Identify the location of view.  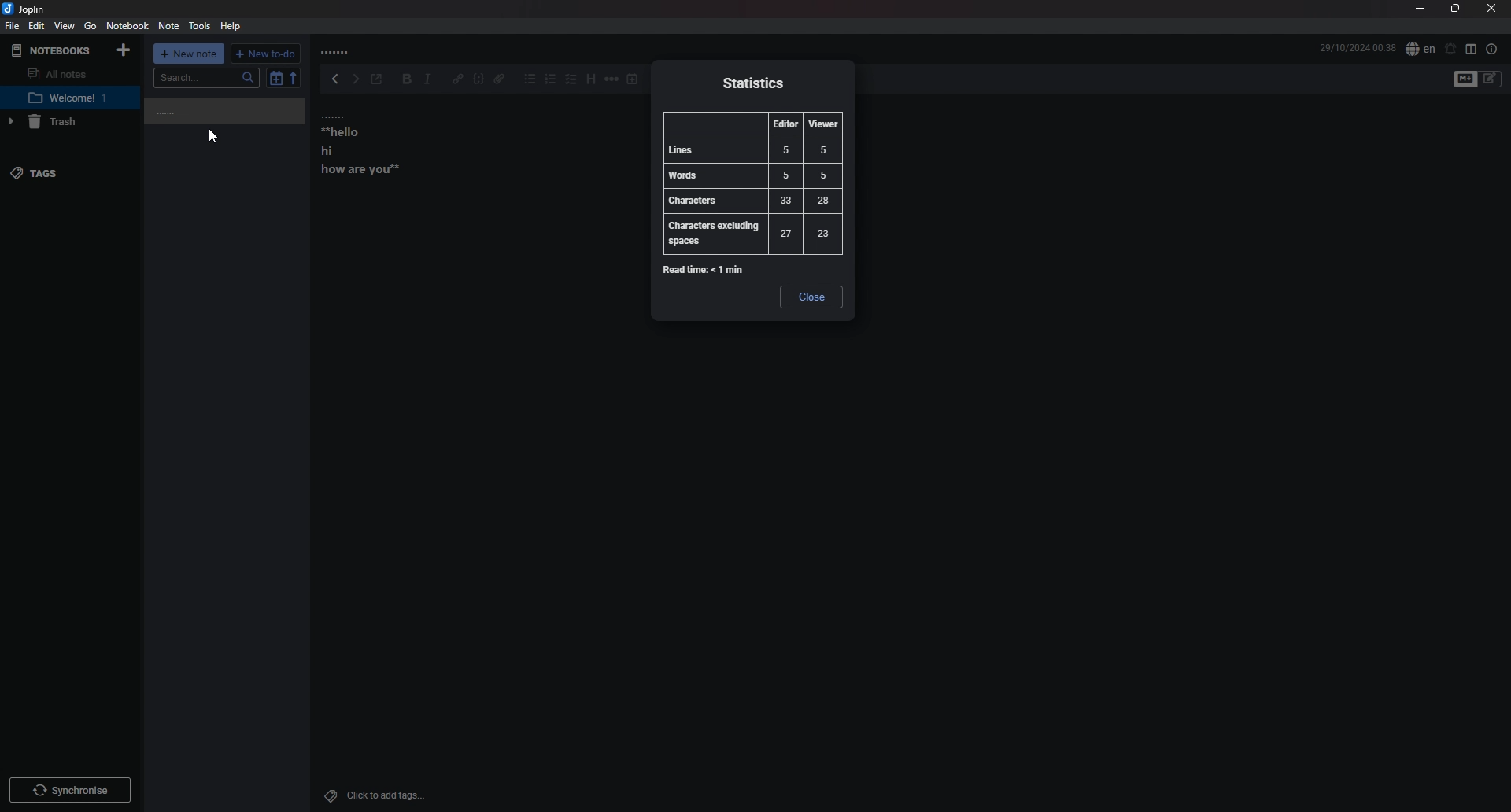
(65, 26).